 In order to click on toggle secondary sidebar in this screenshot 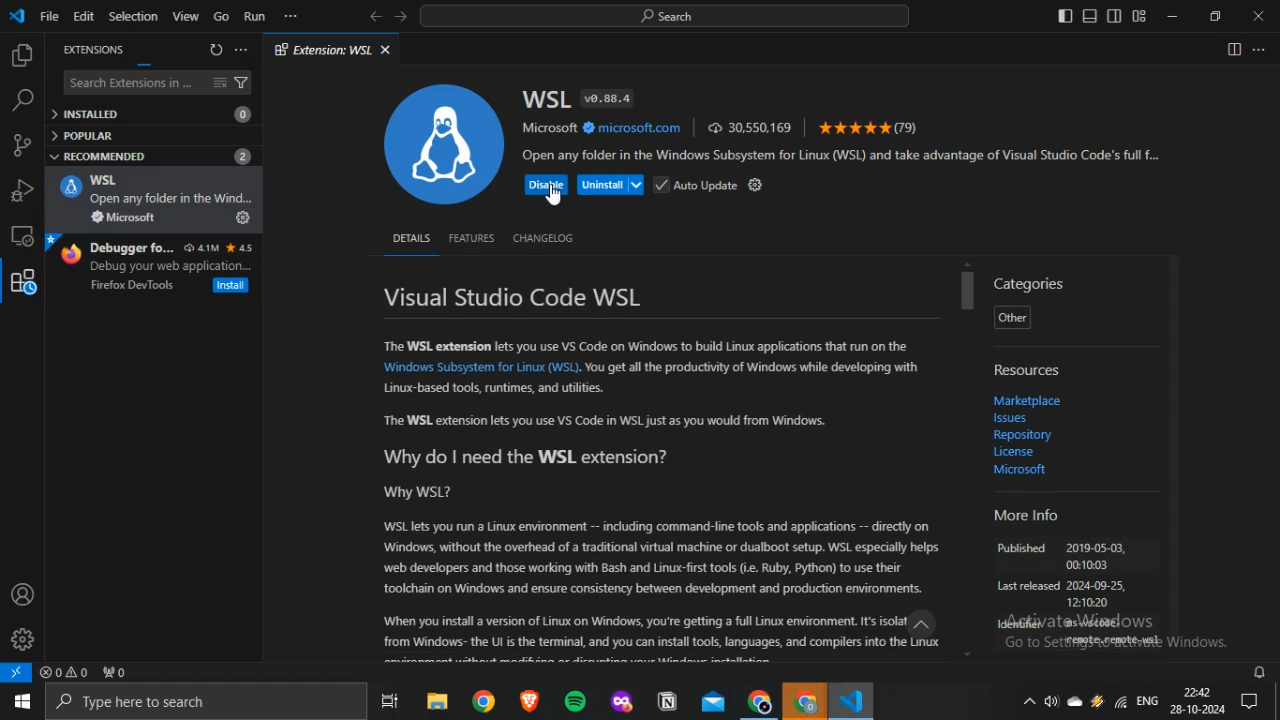, I will do `click(1115, 15)`.